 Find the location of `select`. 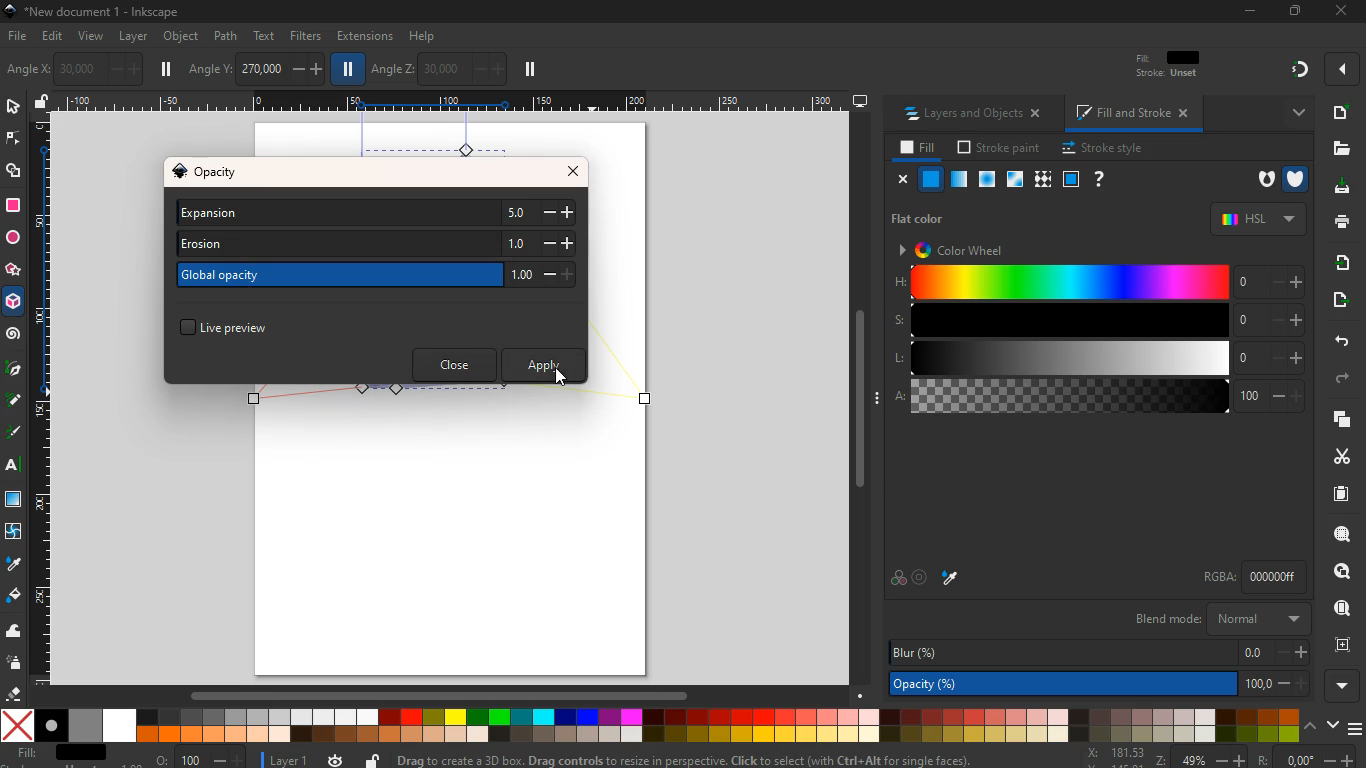

select is located at coordinates (12, 108).